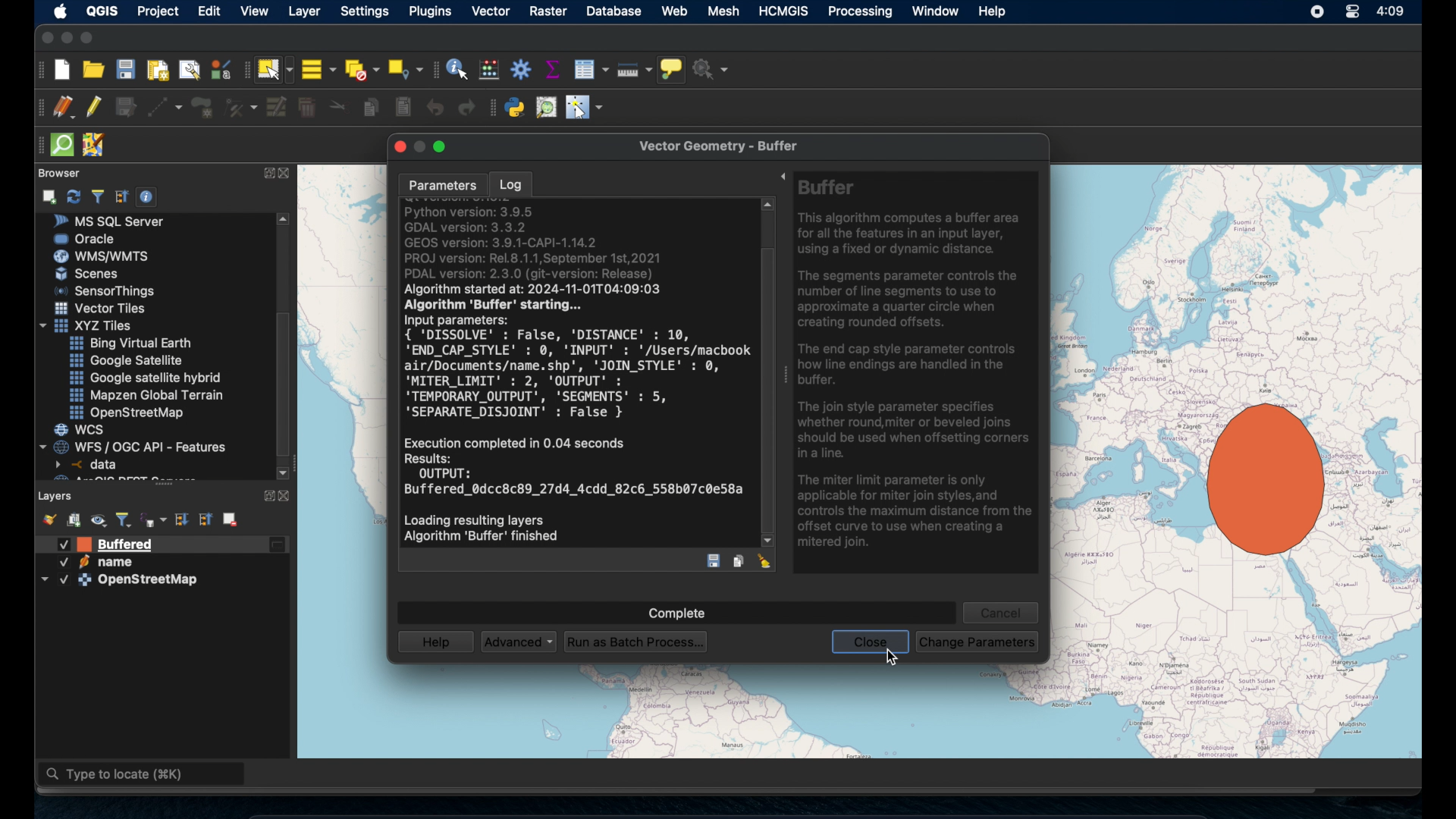 The width and height of the screenshot is (1456, 819). I want to click on scroll up arrow, so click(285, 218).